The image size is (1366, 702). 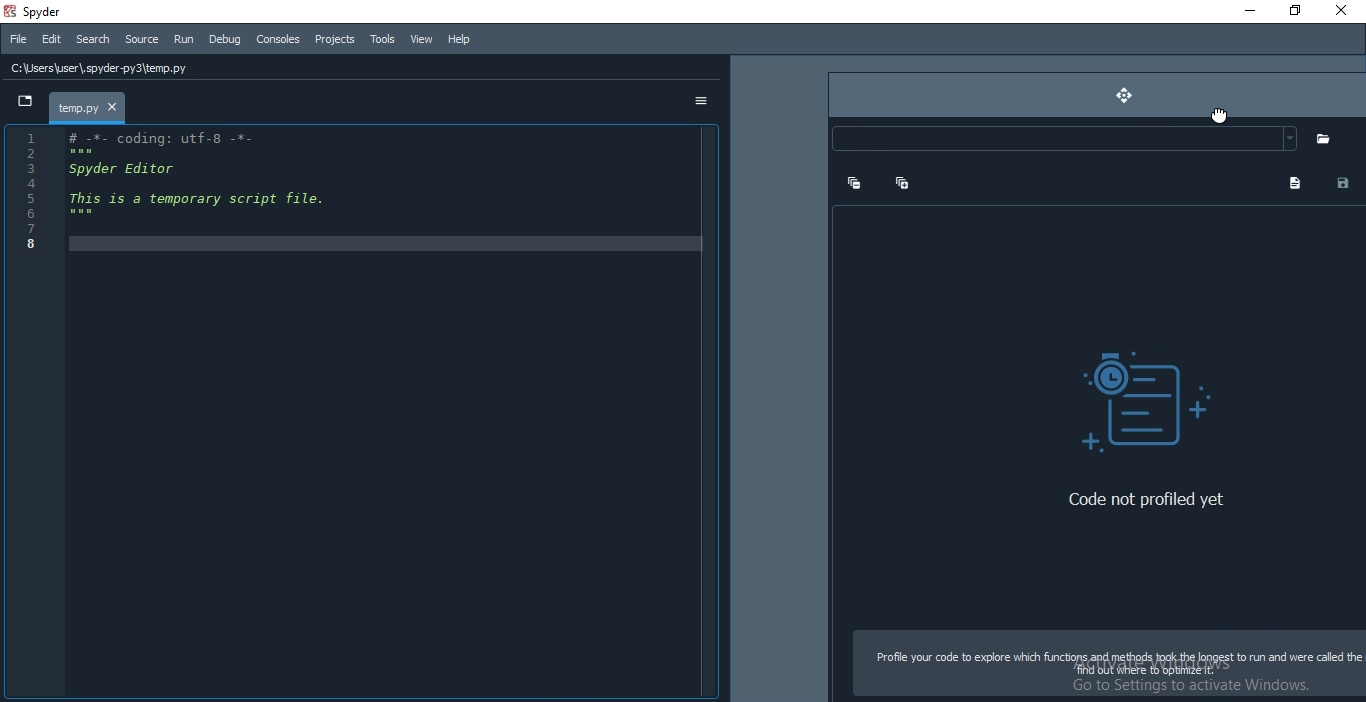 What do you see at coordinates (17, 39) in the screenshot?
I see `File ` at bounding box center [17, 39].